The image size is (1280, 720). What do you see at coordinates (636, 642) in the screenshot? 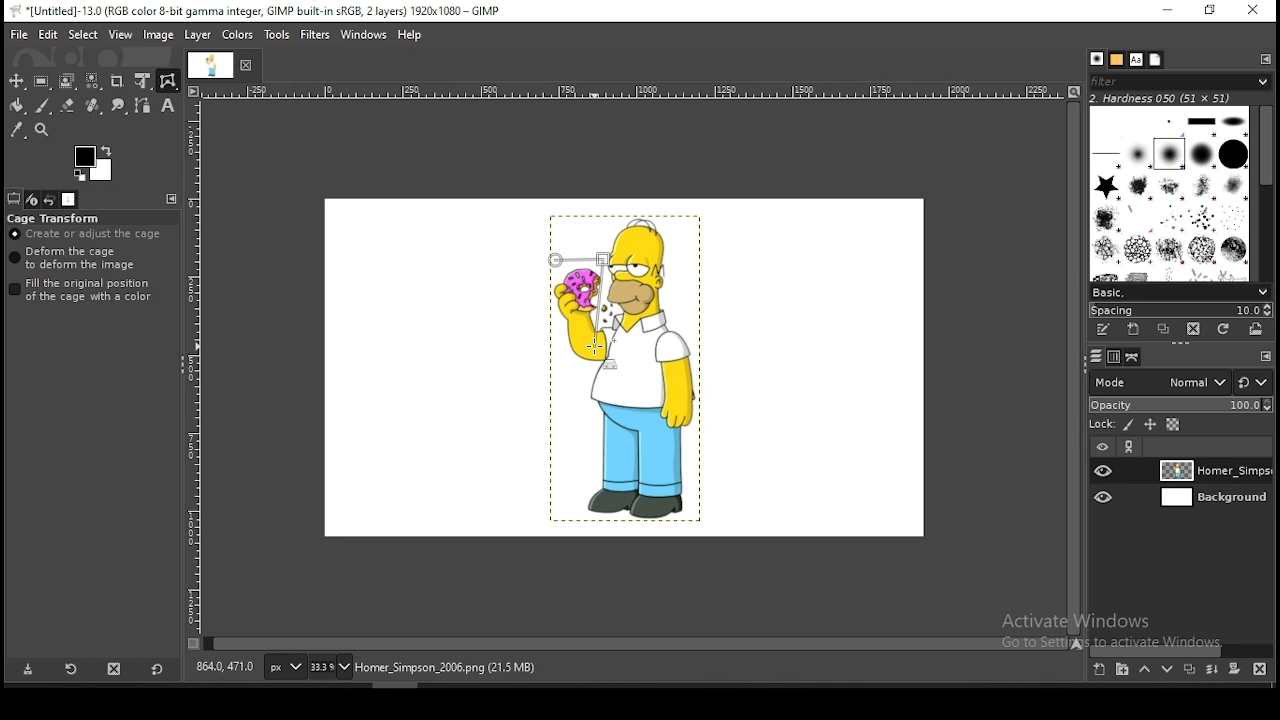
I see `scroll bar` at bounding box center [636, 642].